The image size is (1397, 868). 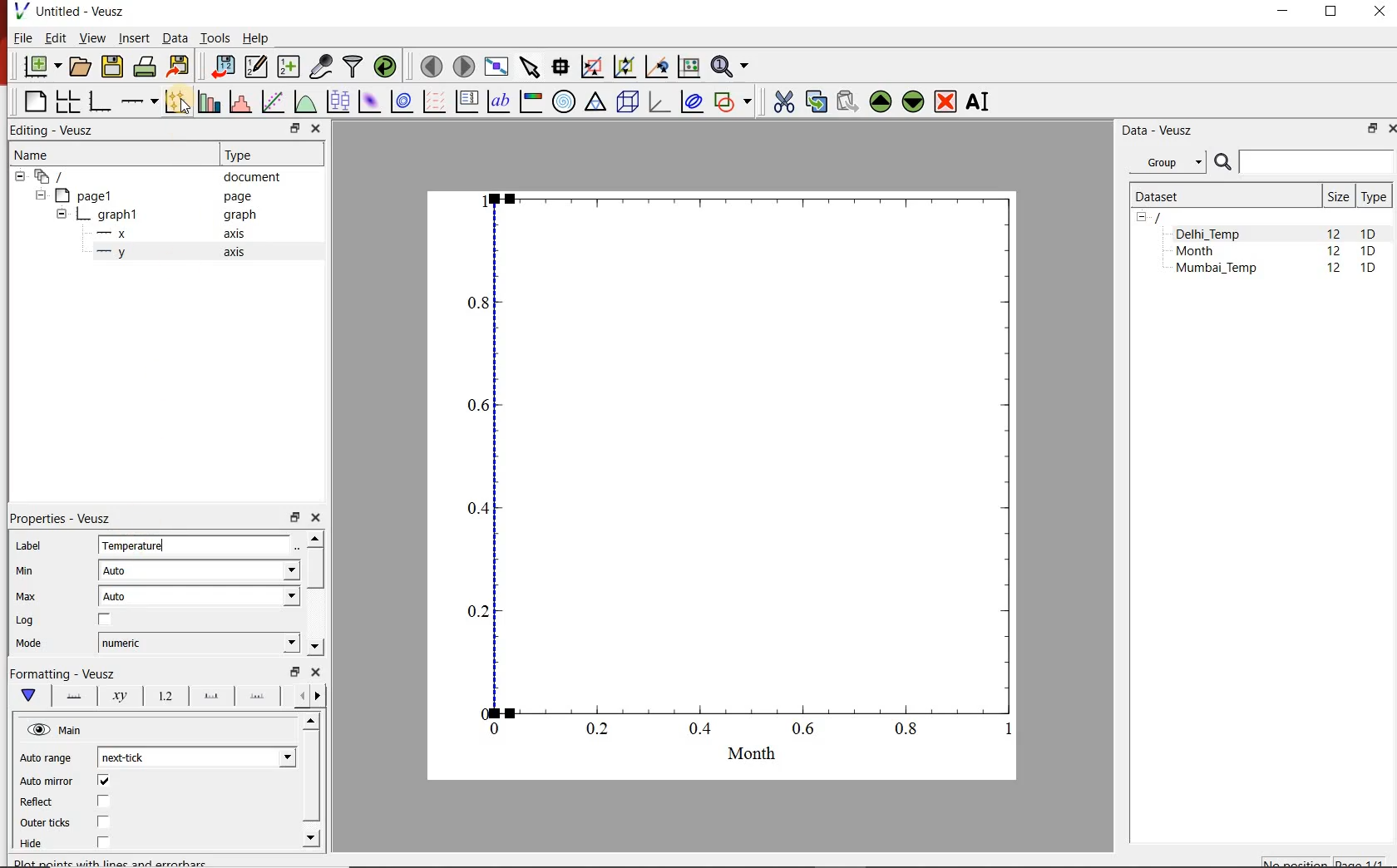 What do you see at coordinates (531, 67) in the screenshot?
I see `select items from the graph or scroll` at bounding box center [531, 67].